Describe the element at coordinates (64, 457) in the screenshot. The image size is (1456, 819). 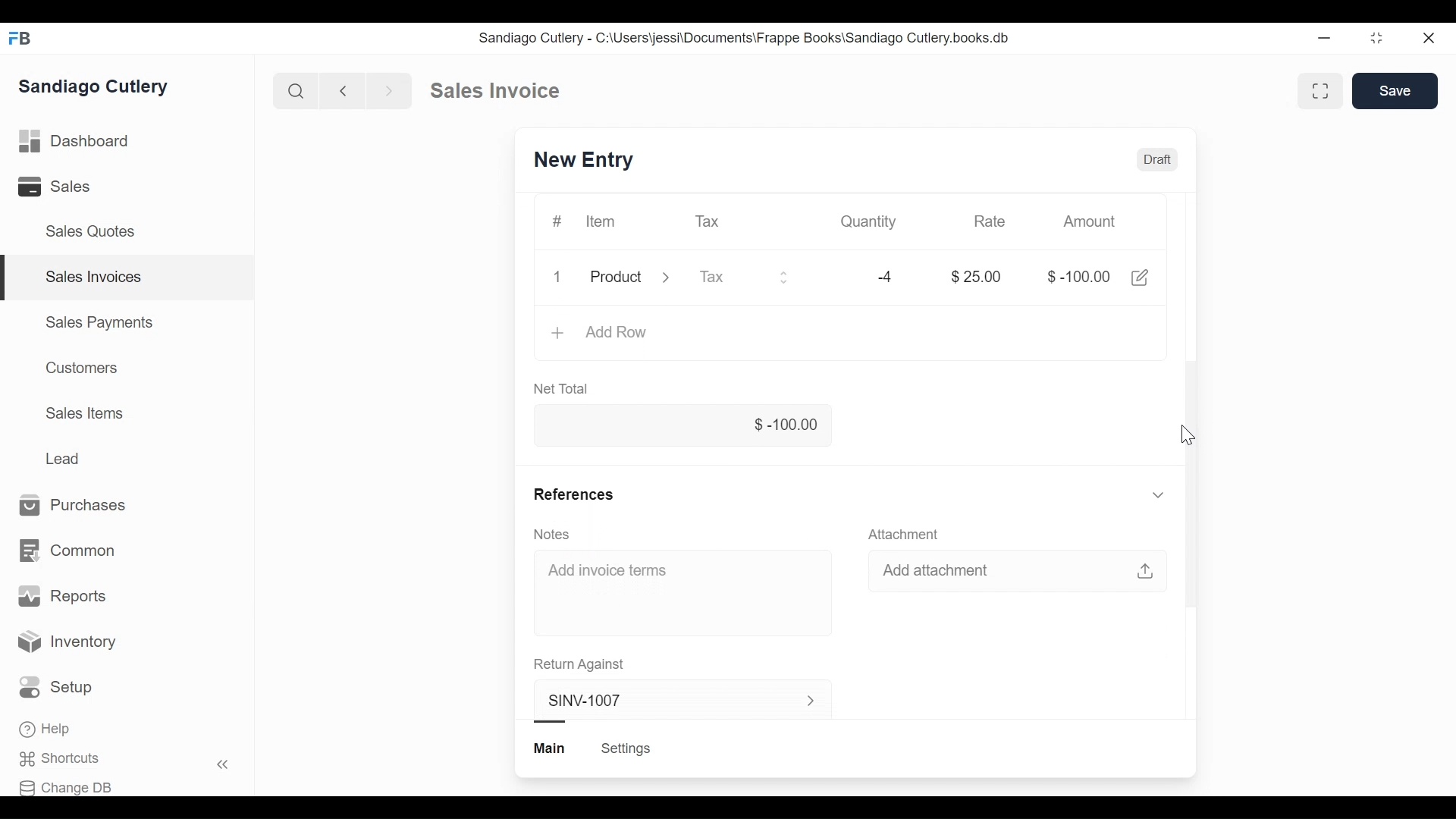
I see `Lead` at that location.